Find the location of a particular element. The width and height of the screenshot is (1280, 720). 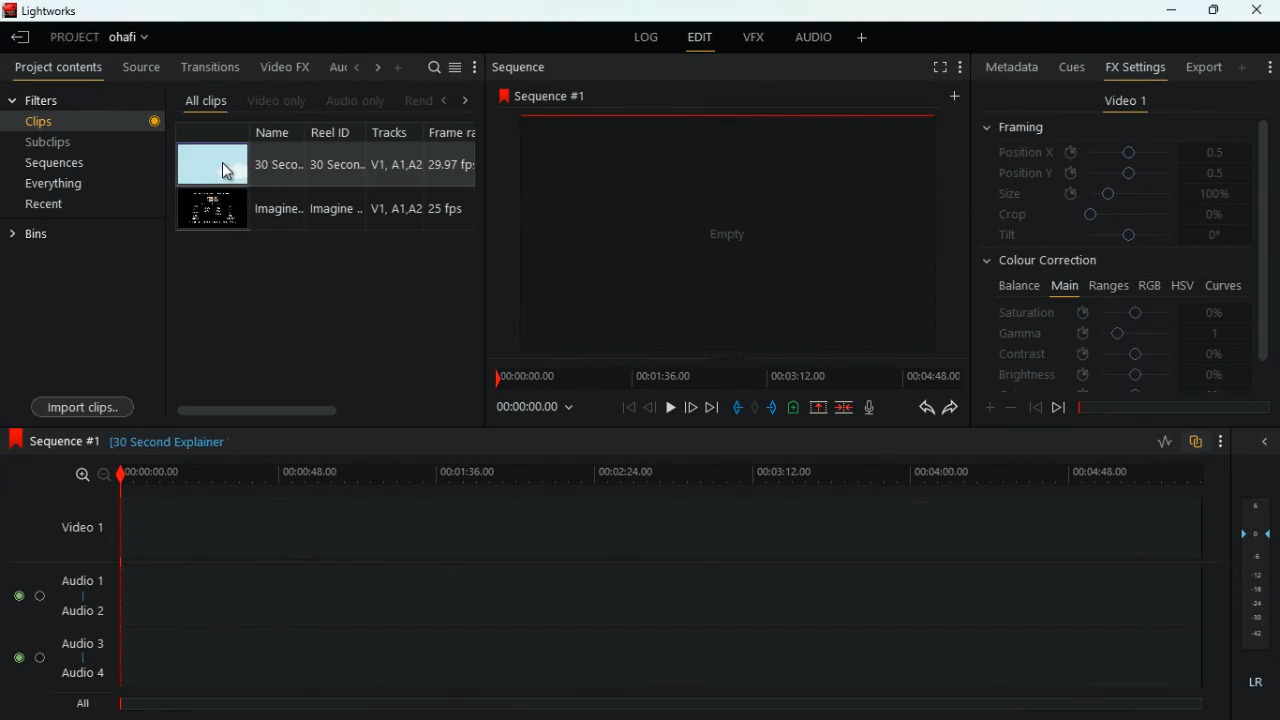

right is located at coordinates (467, 100).